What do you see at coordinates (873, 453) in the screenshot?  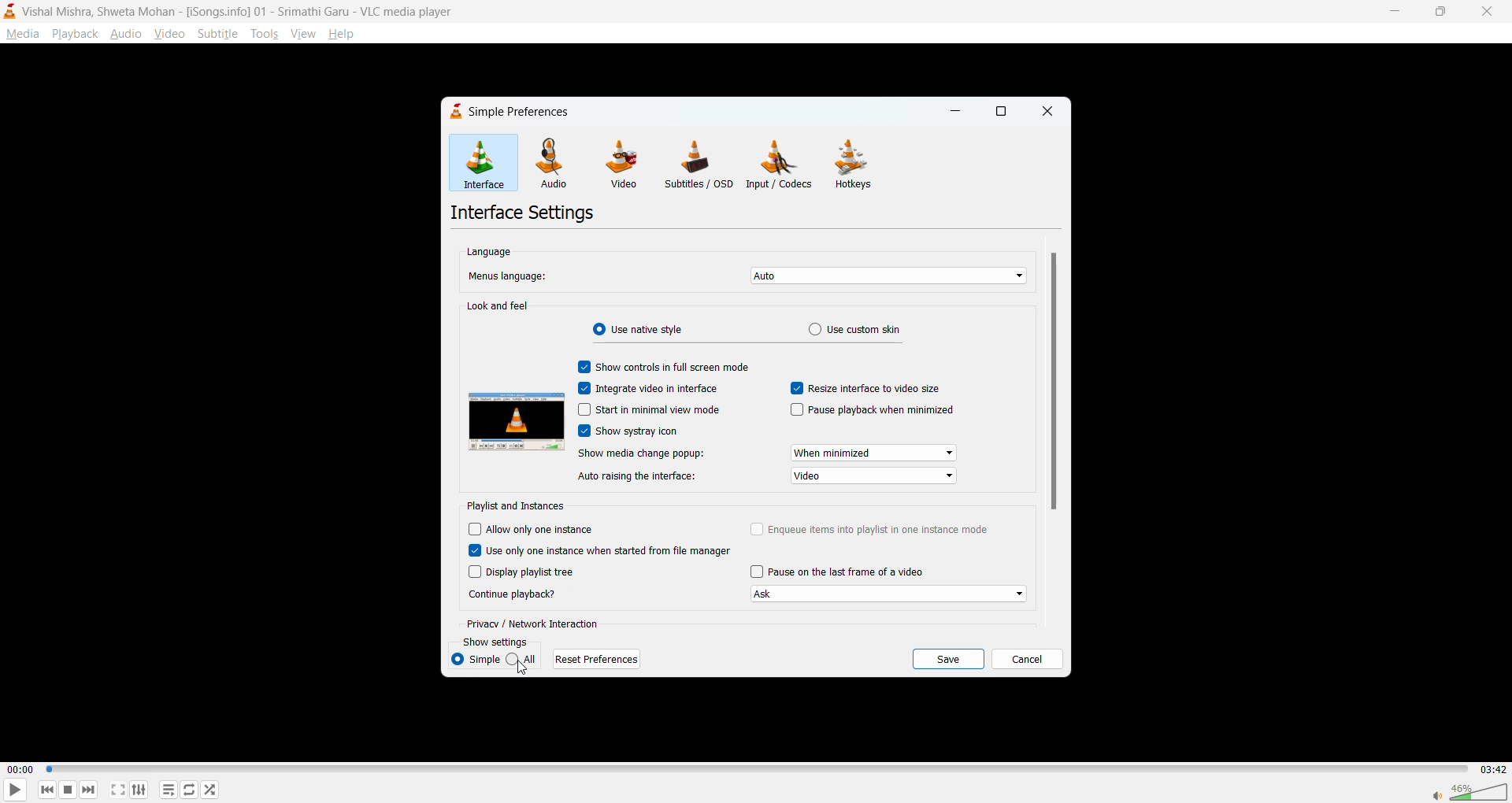 I see `Media change dropdown` at bounding box center [873, 453].